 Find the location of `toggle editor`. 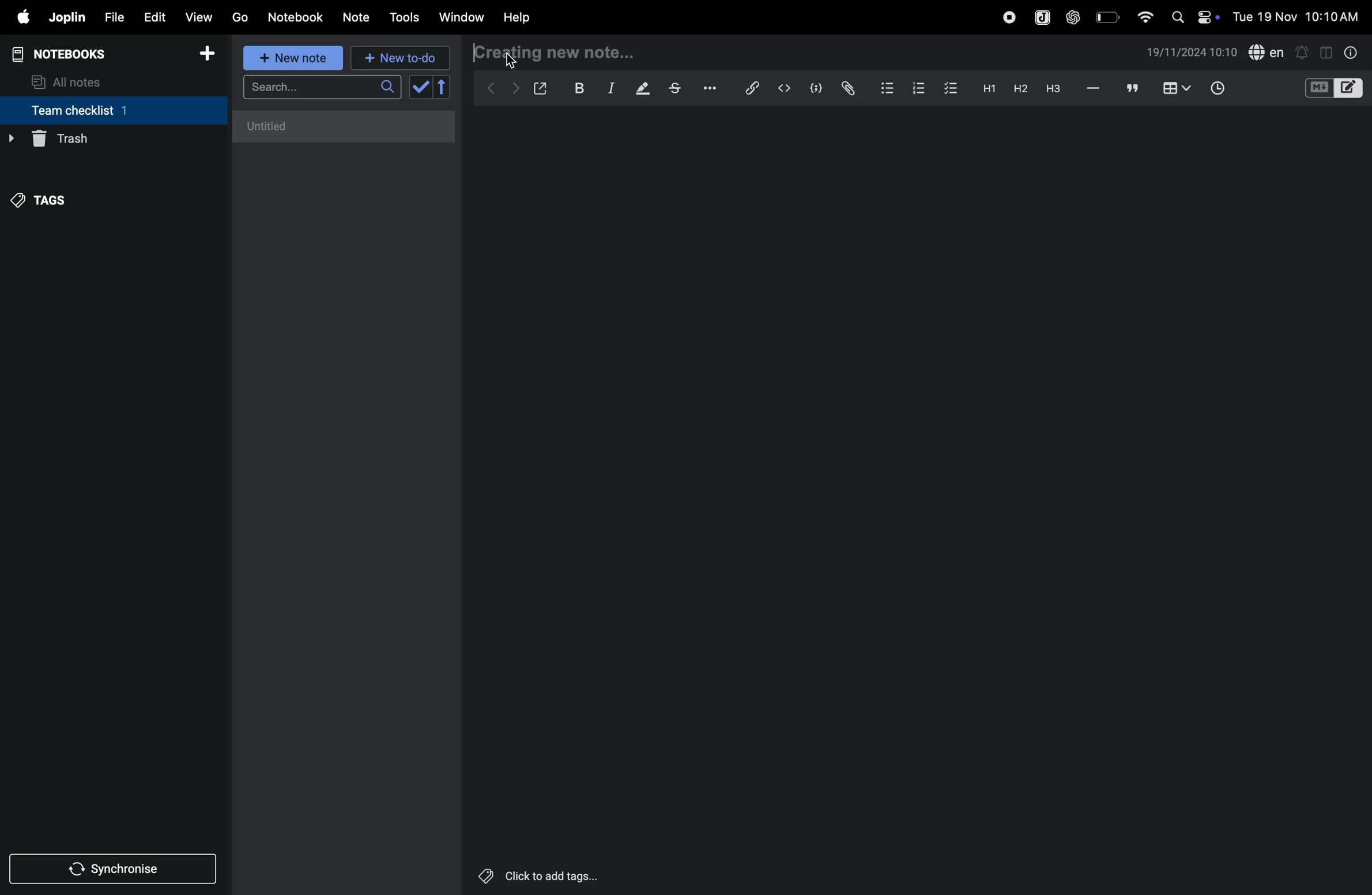

toggle editor is located at coordinates (1322, 51).